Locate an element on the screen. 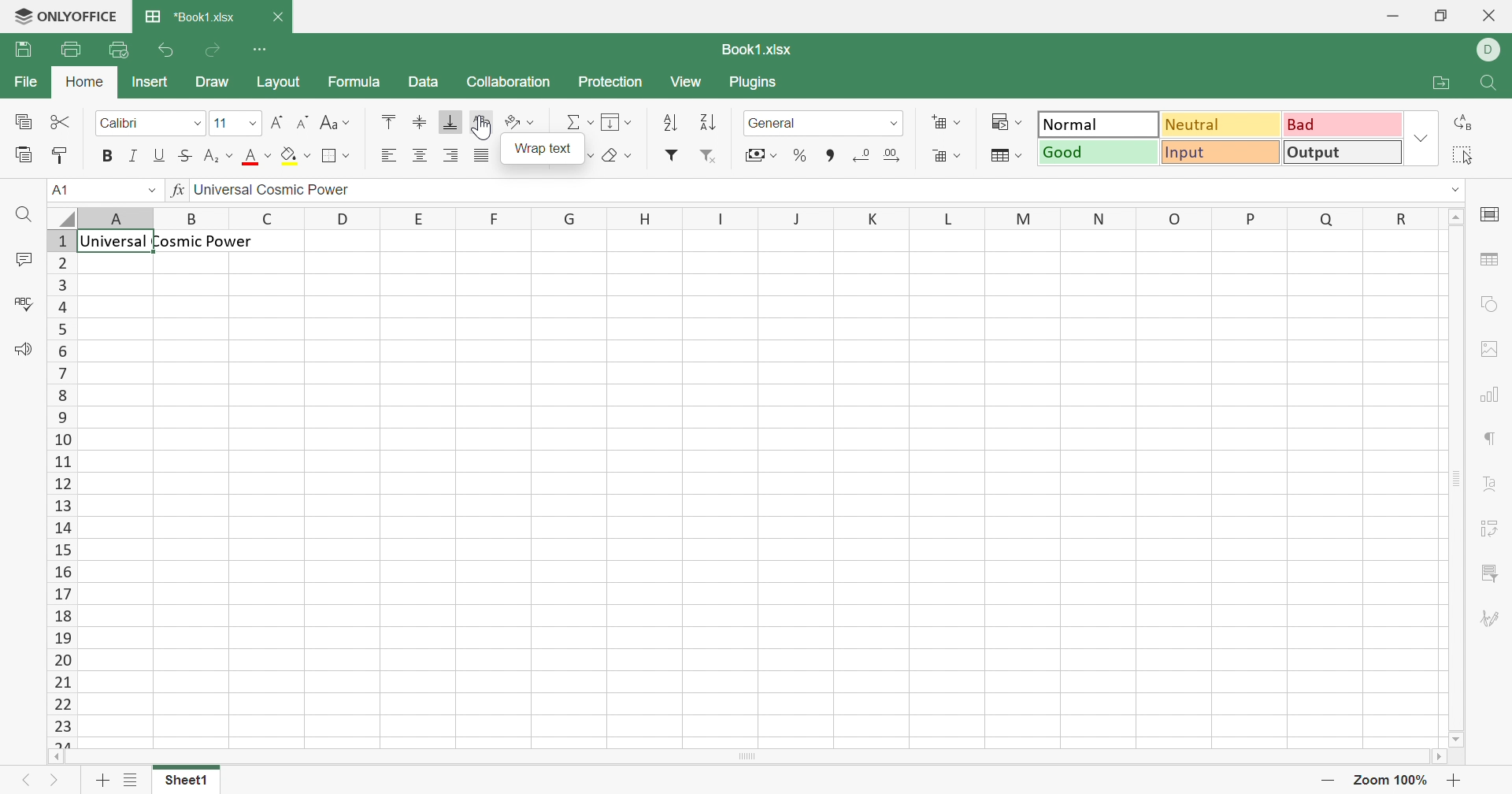 Image resolution: width=1512 pixels, height=794 pixels. Previous is located at coordinates (30, 775).